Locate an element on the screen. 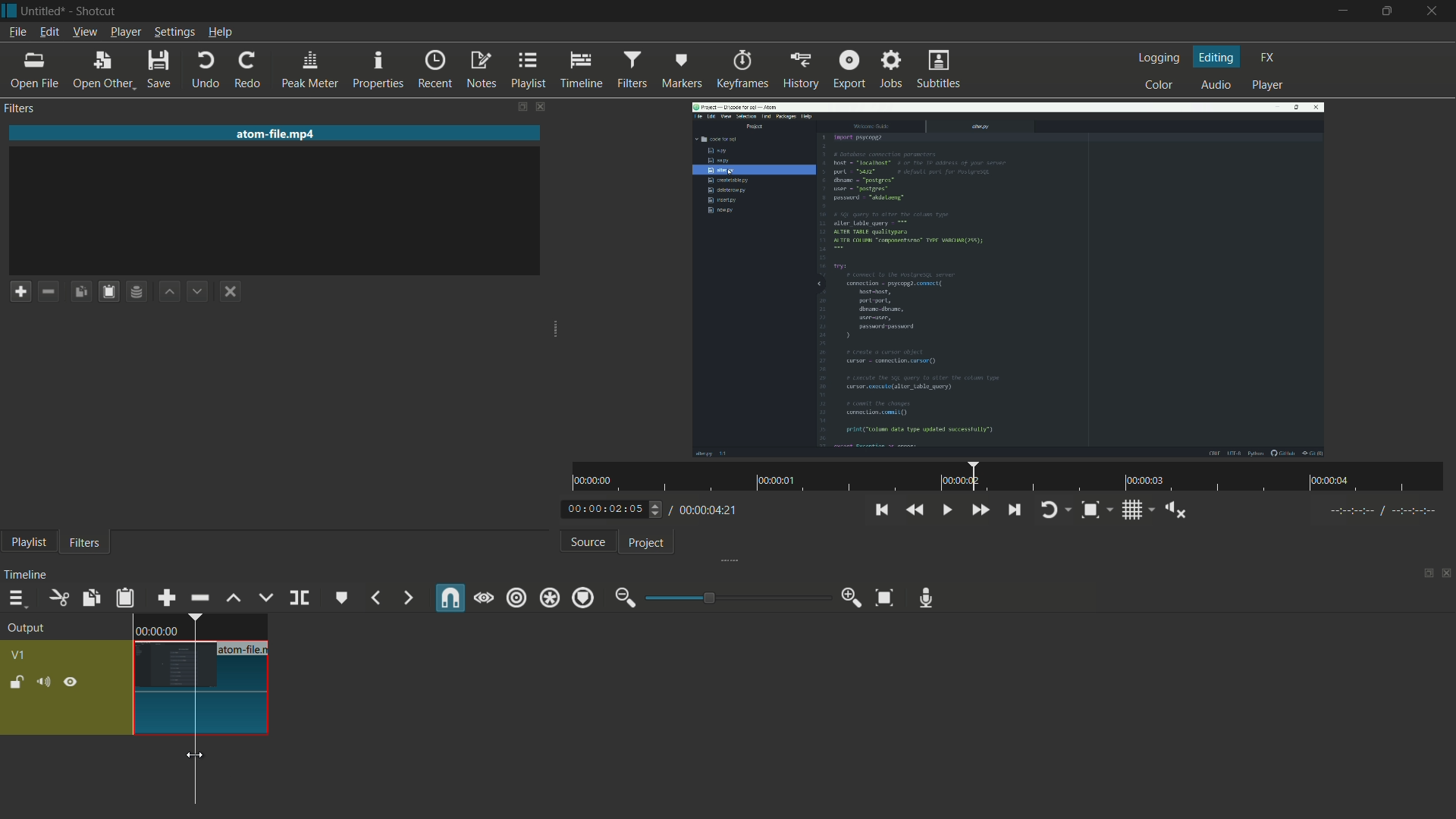  change layout is located at coordinates (519, 107).